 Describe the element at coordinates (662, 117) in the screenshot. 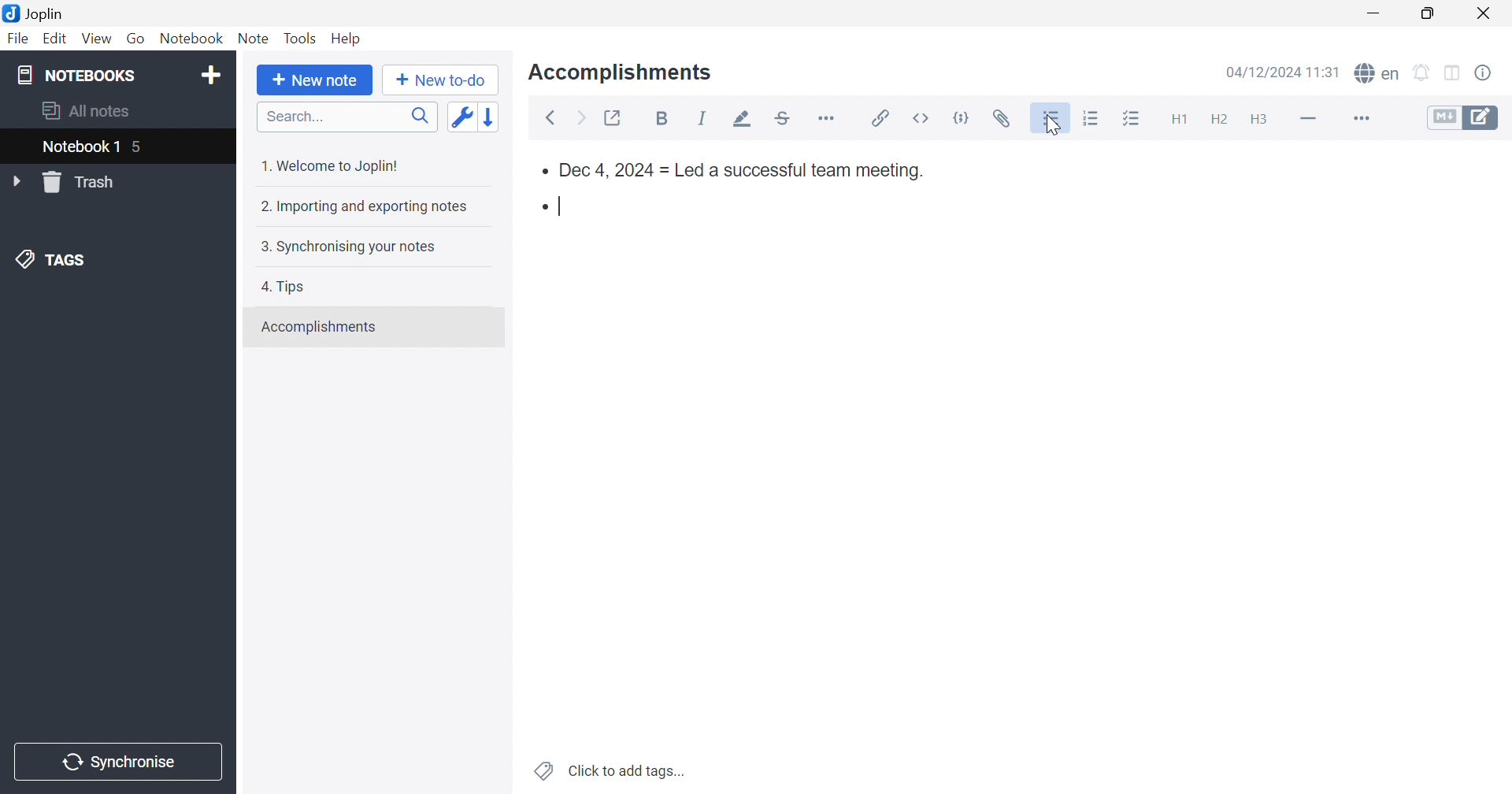

I see `Bold` at that location.